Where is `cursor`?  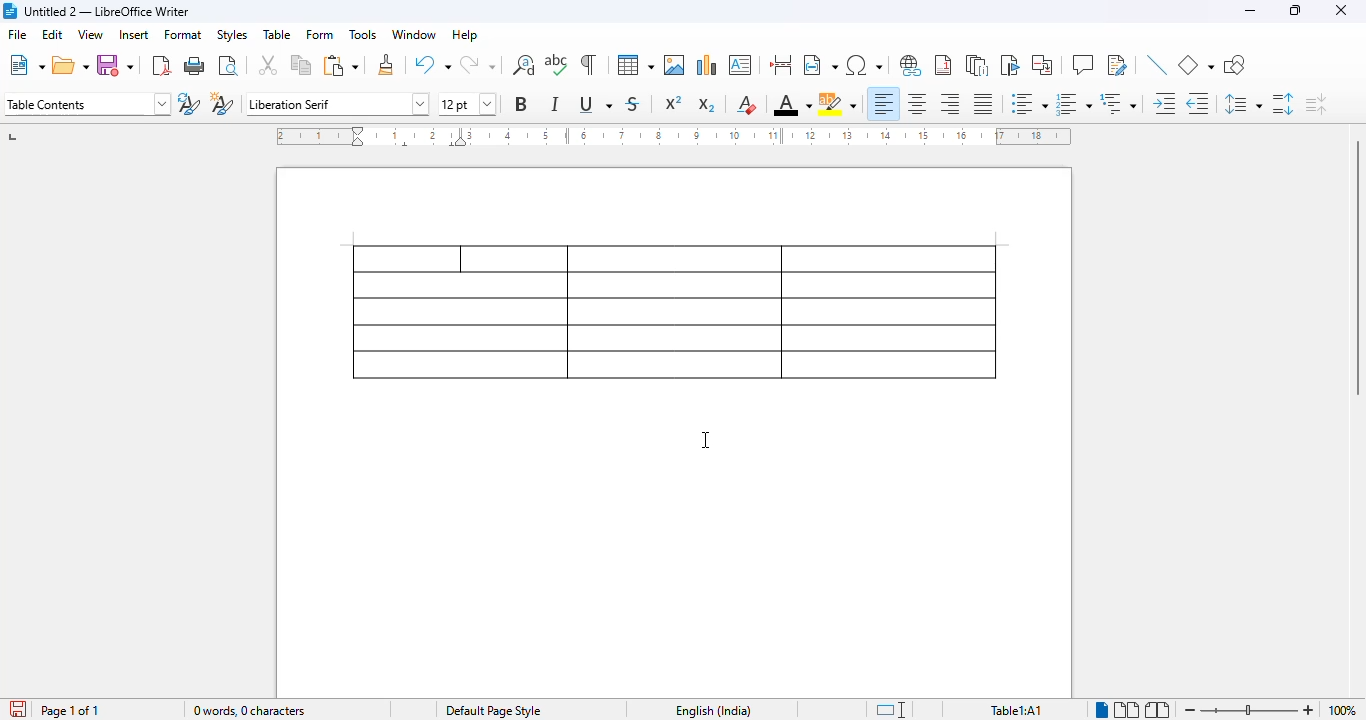
cursor is located at coordinates (705, 440).